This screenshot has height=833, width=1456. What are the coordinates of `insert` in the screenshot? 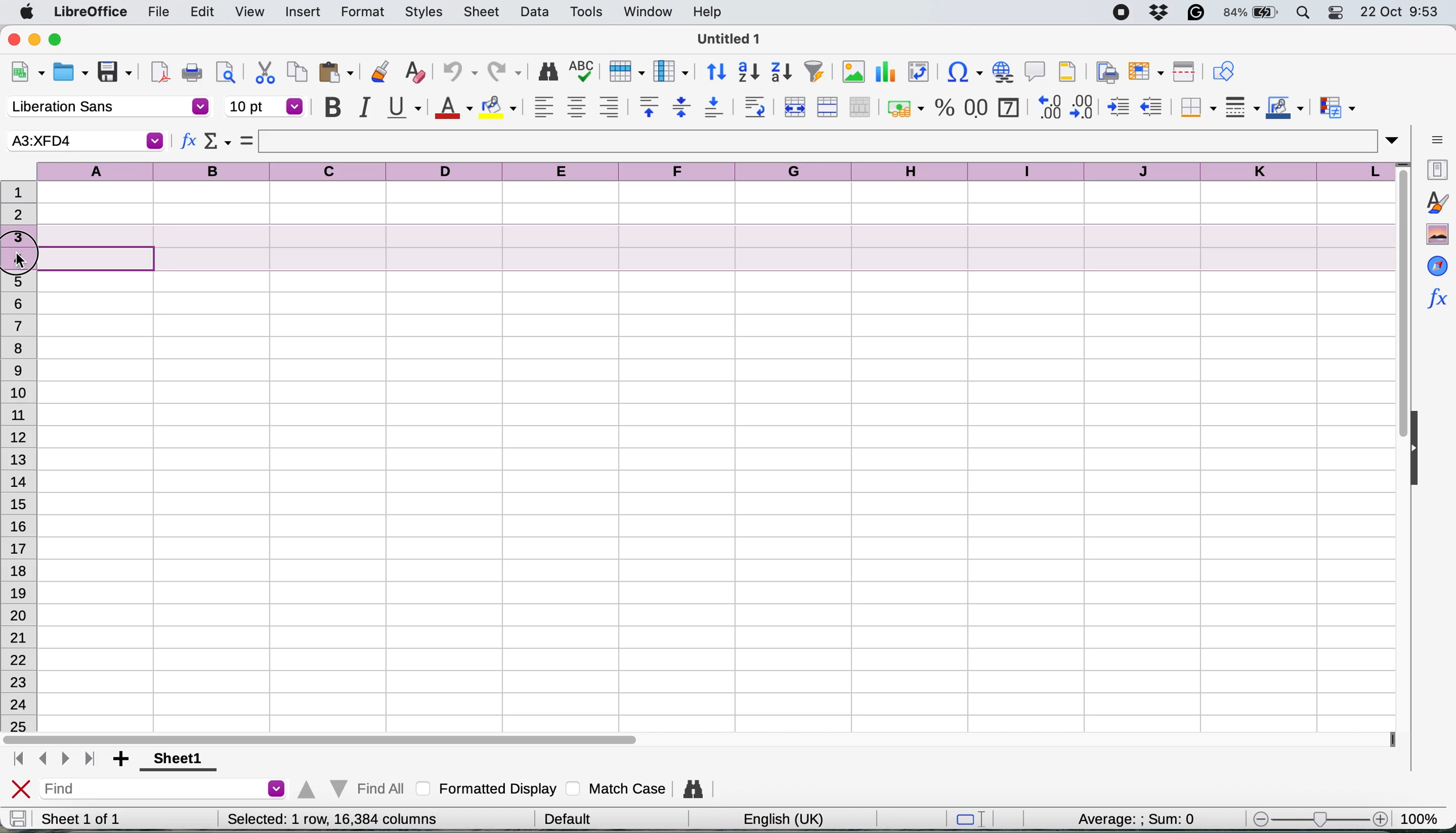 It's located at (303, 13).